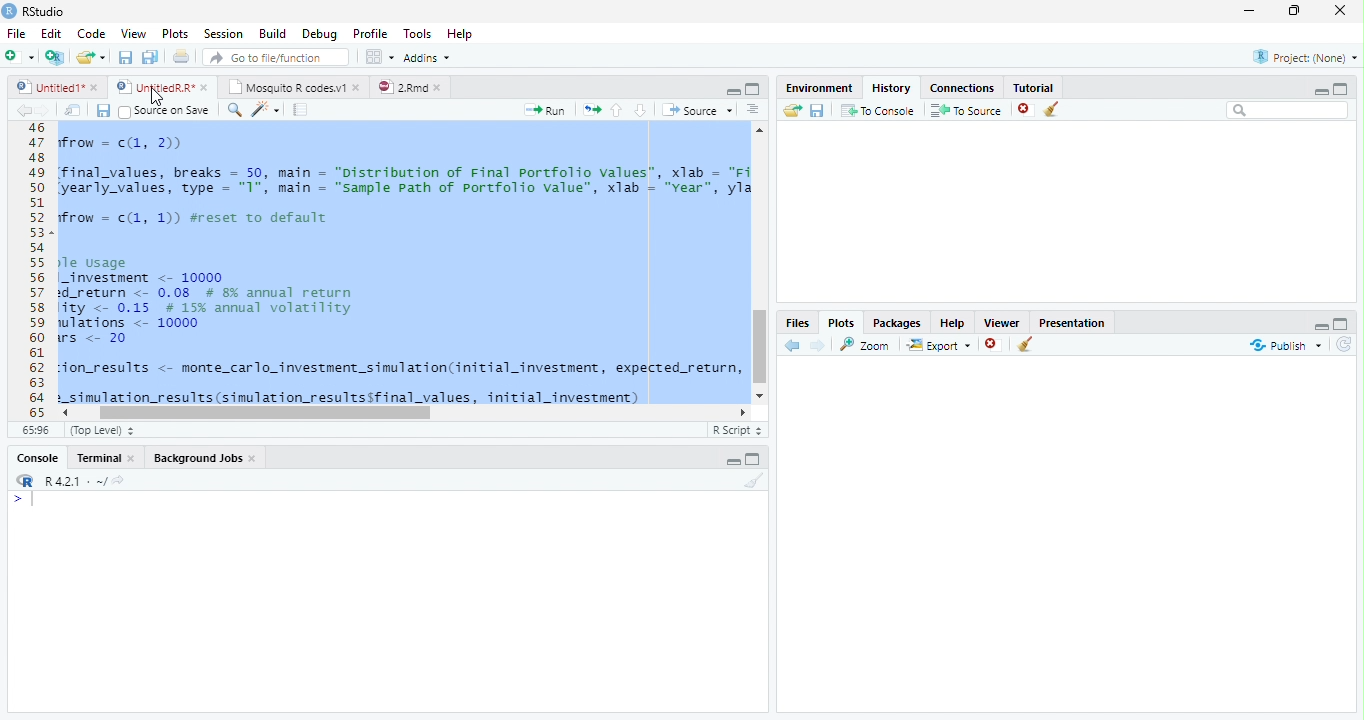 This screenshot has height=720, width=1364. Describe the element at coordinates (753, 111) in the screenshot. I see `Show document outline` at that location.